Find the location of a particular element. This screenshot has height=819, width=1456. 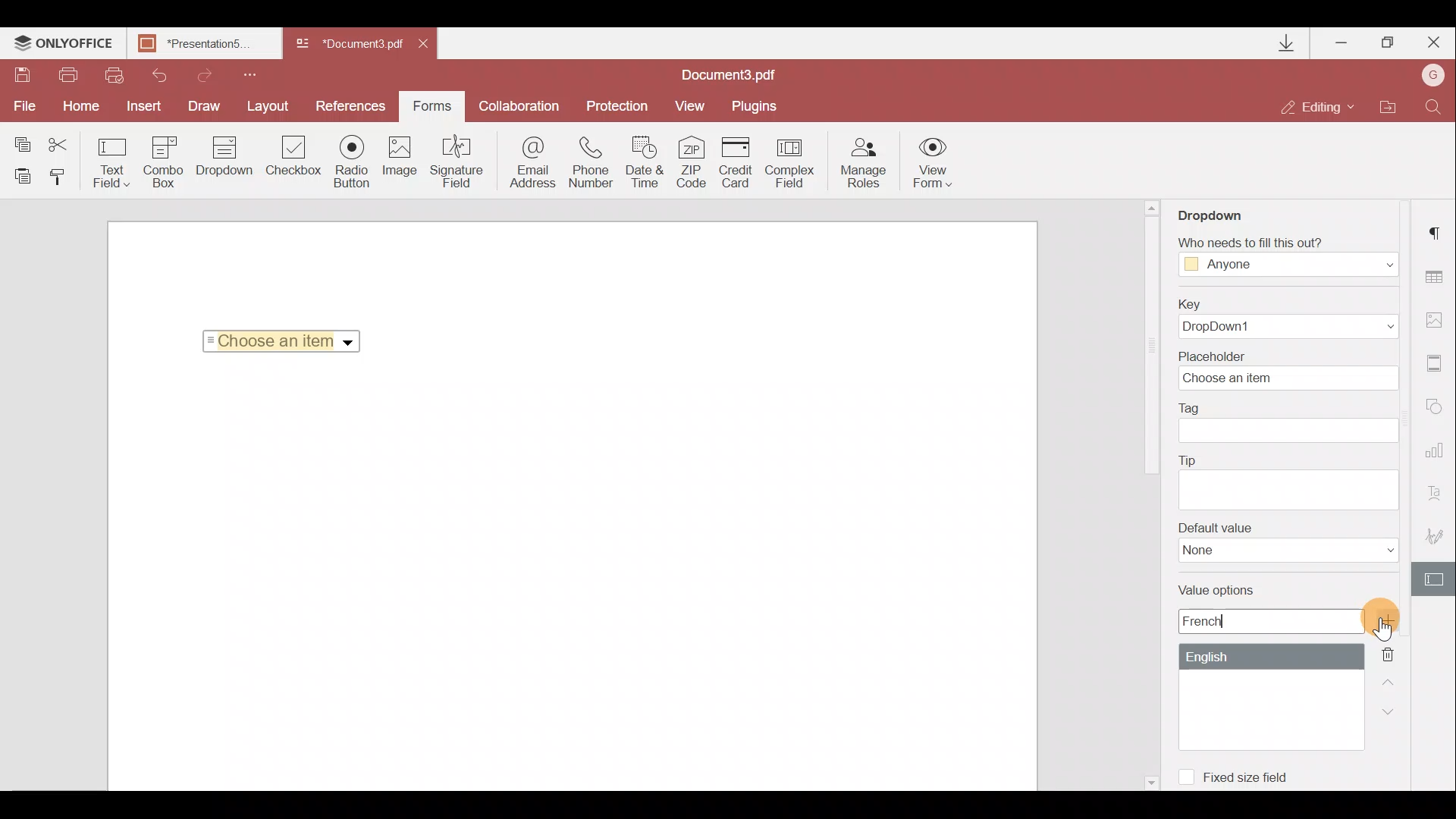

Downloads is located at coordinates (1288, 43).